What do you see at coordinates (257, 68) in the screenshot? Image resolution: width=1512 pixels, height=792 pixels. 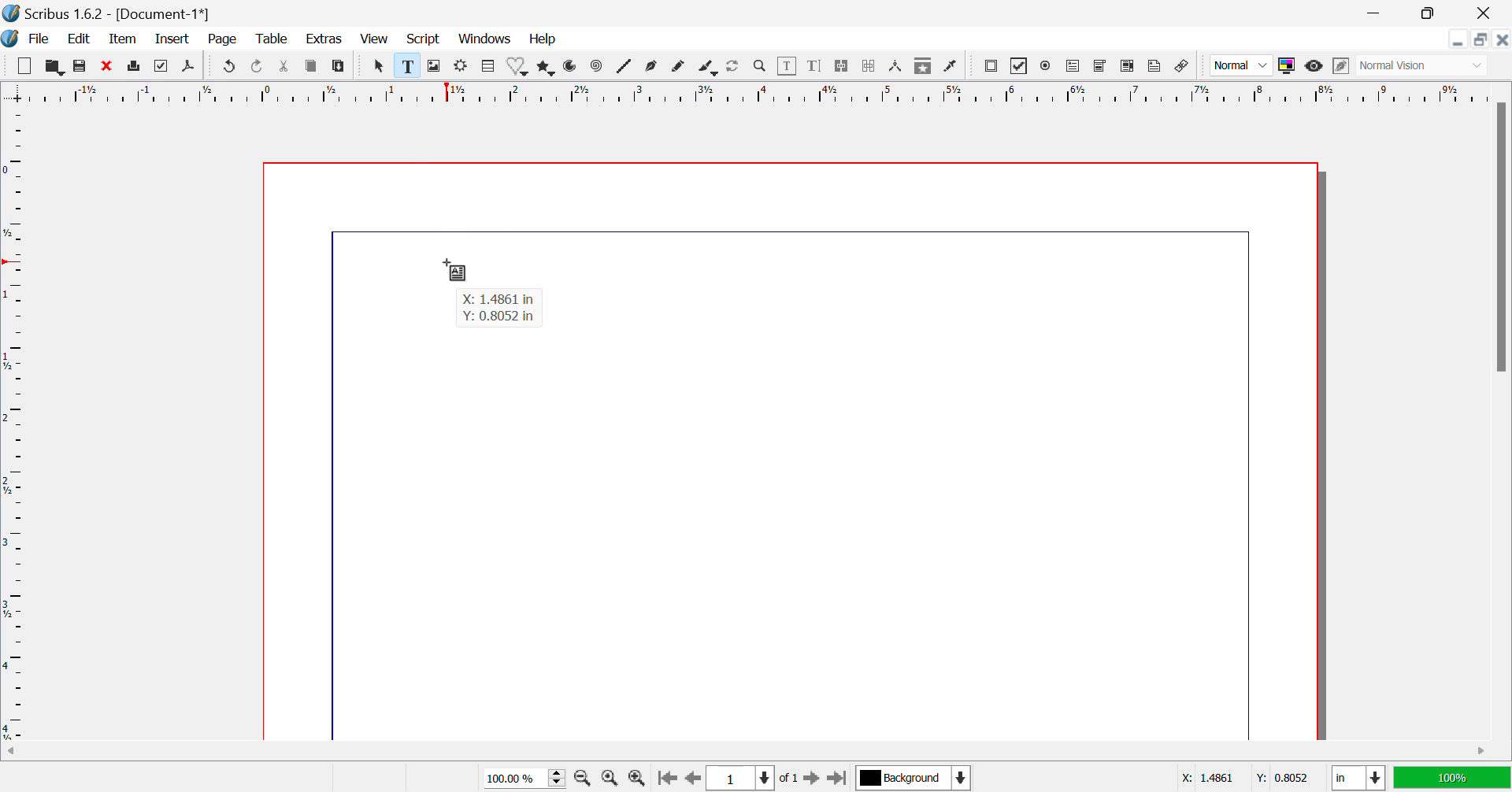 I see `Redo` at bounding box center [257, 68].